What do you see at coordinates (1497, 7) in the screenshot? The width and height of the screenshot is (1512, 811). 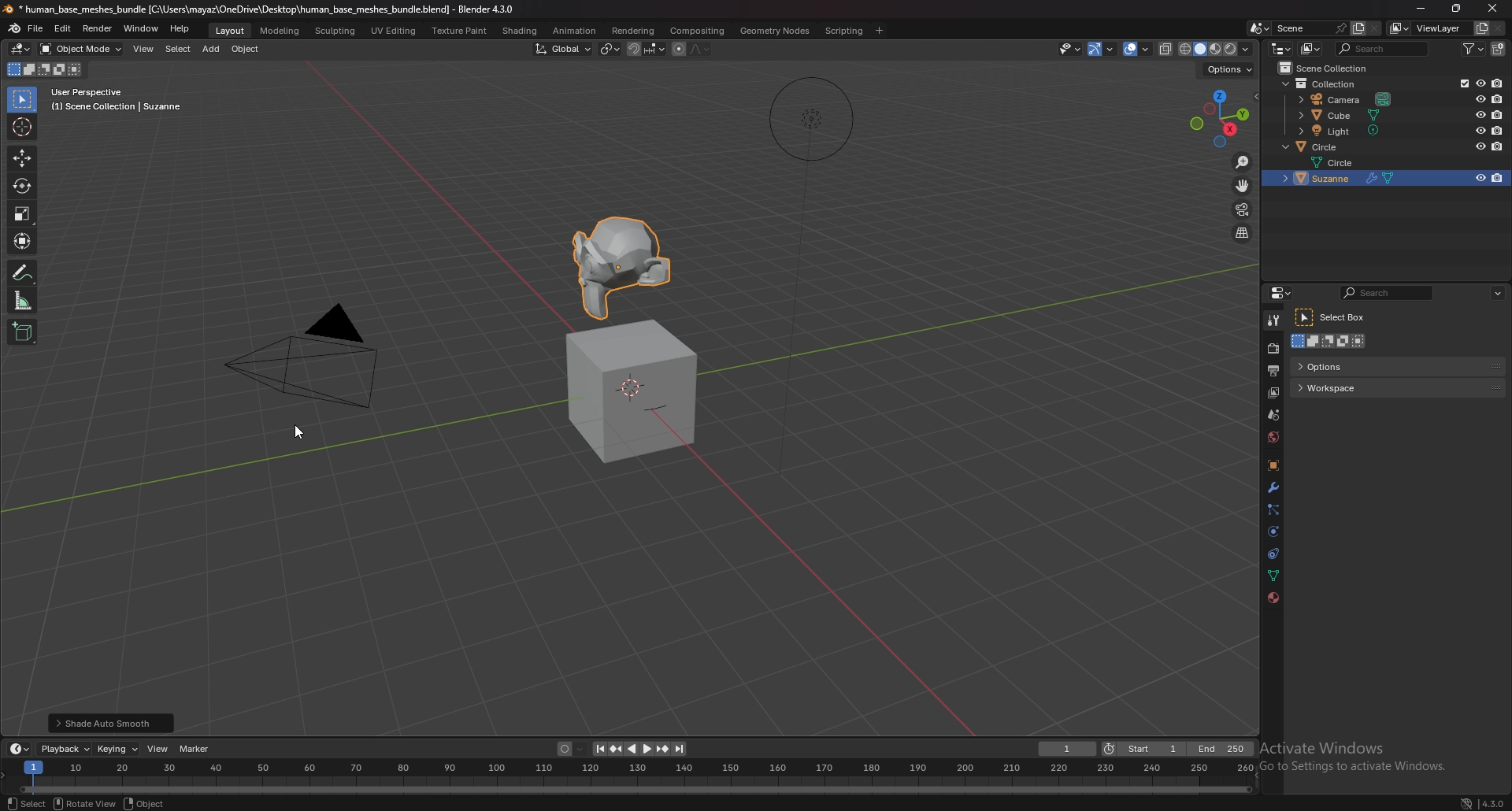 I see `cursor` at bounding box center [1497, 7].